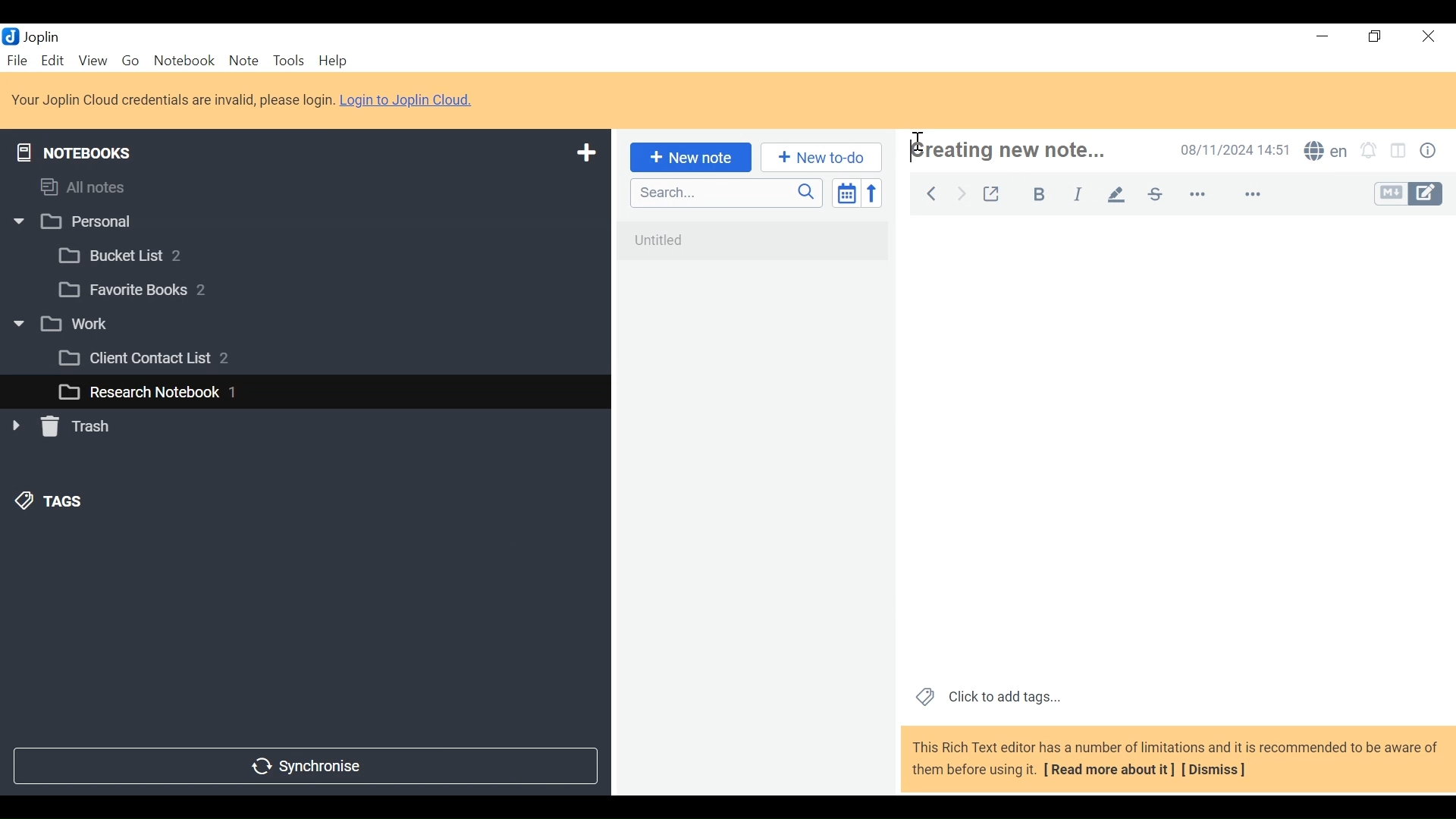  Describe the element at coordinates (757, 250) in the screenshot. I see `No notes in here. Create one by clicking
on "New note".` at that location.